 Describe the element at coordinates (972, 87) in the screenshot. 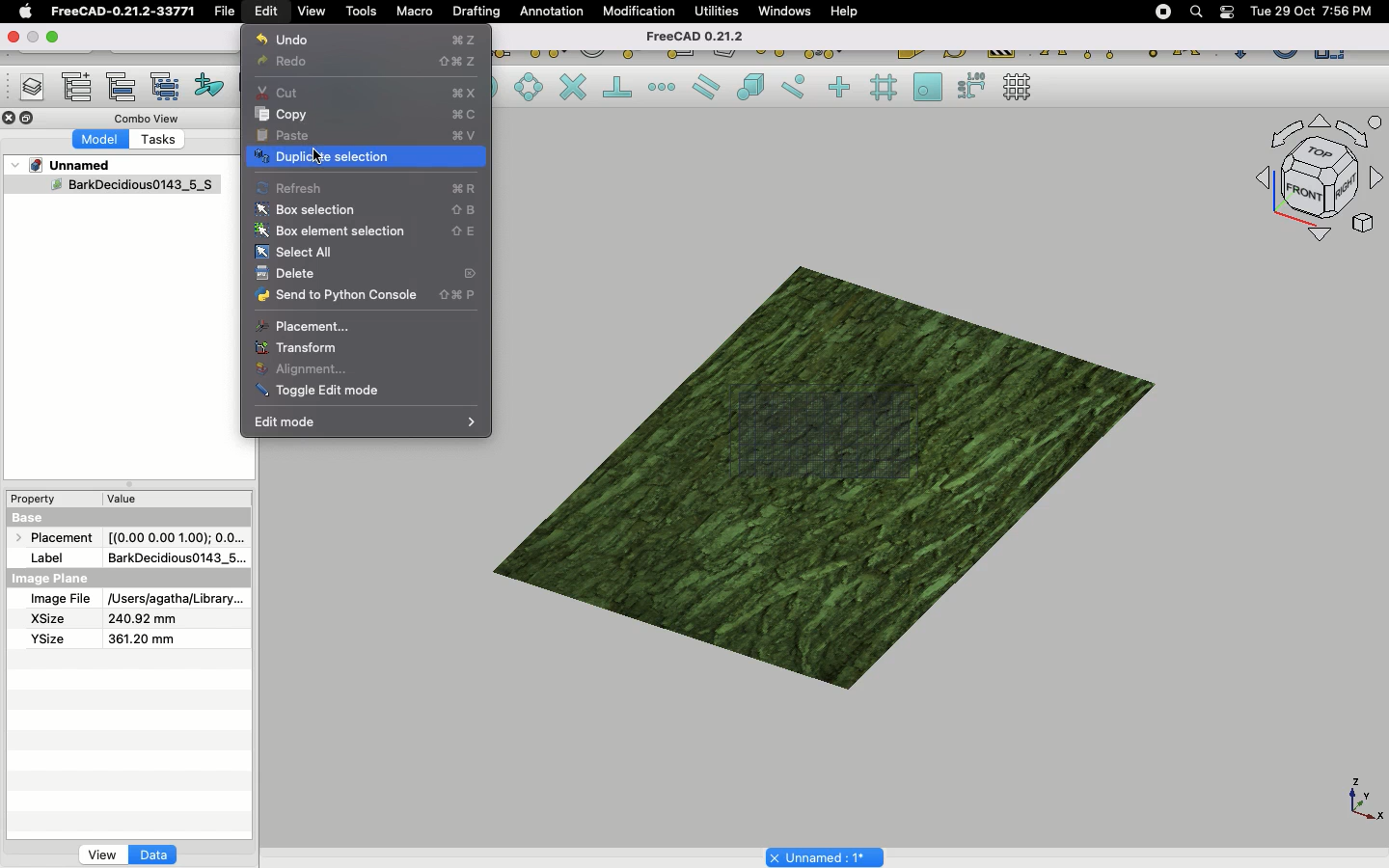

I see `Snap dimensions` at that location.